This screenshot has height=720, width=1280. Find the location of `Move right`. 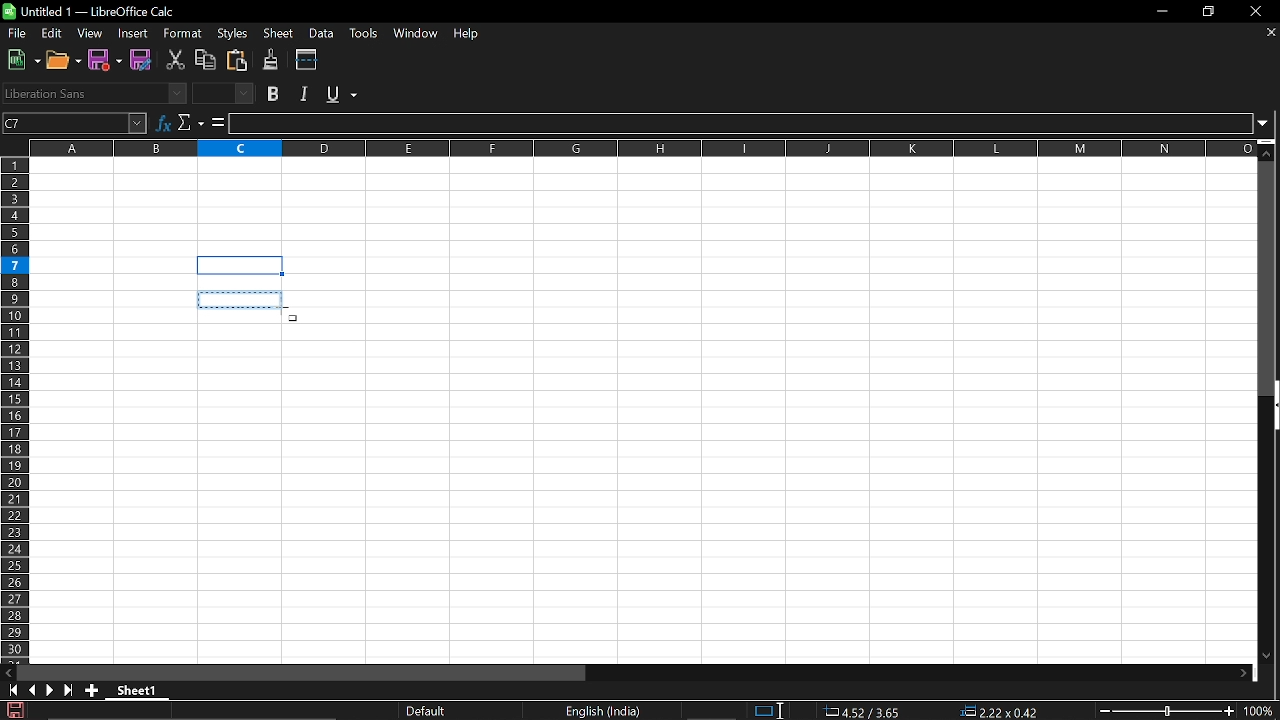

Move right is located at coordinates (1243, 674).